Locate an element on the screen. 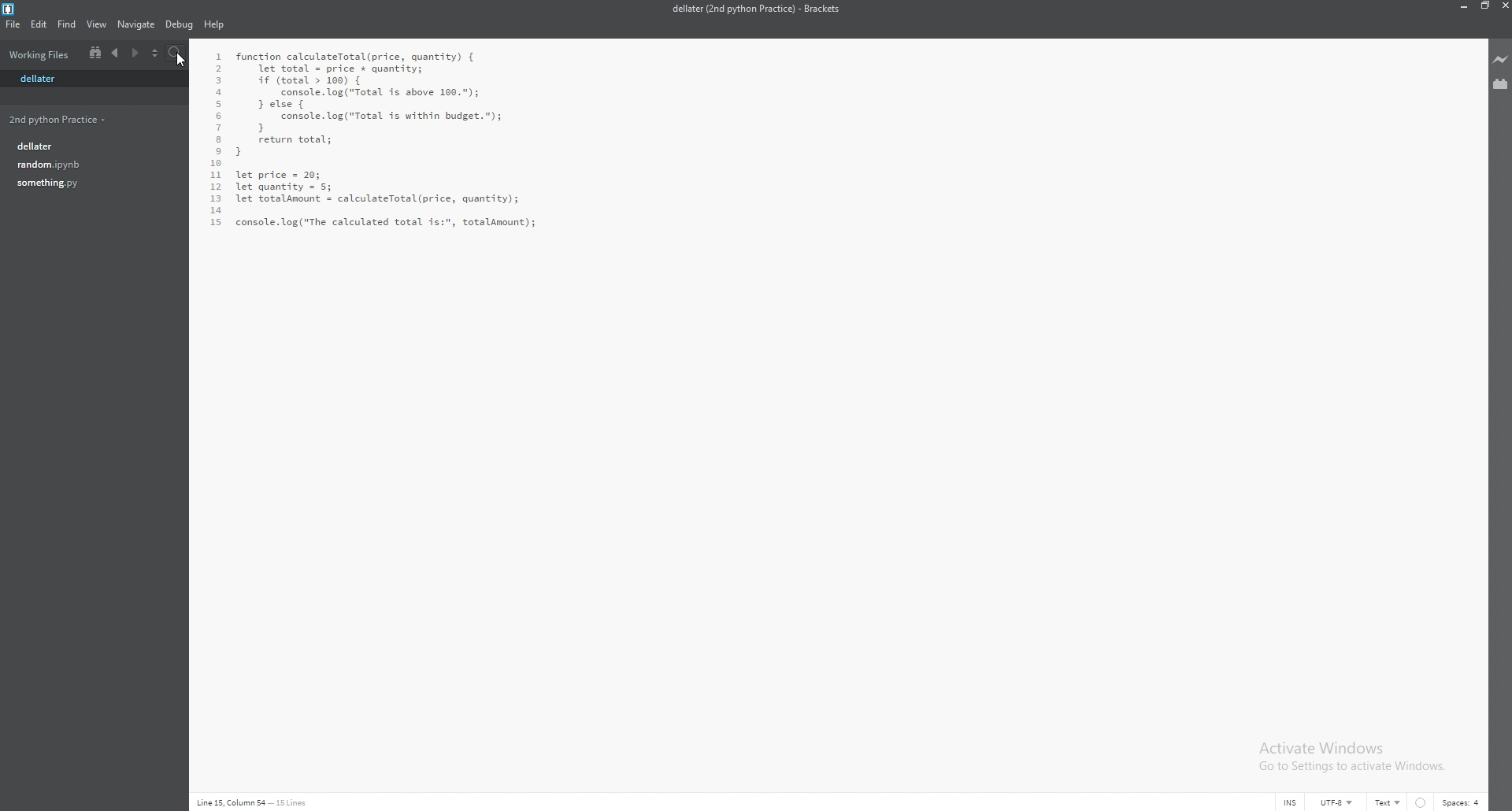 The width and height of the screenshot is (1512, 811). 6 is located at coordinates (217, 115).